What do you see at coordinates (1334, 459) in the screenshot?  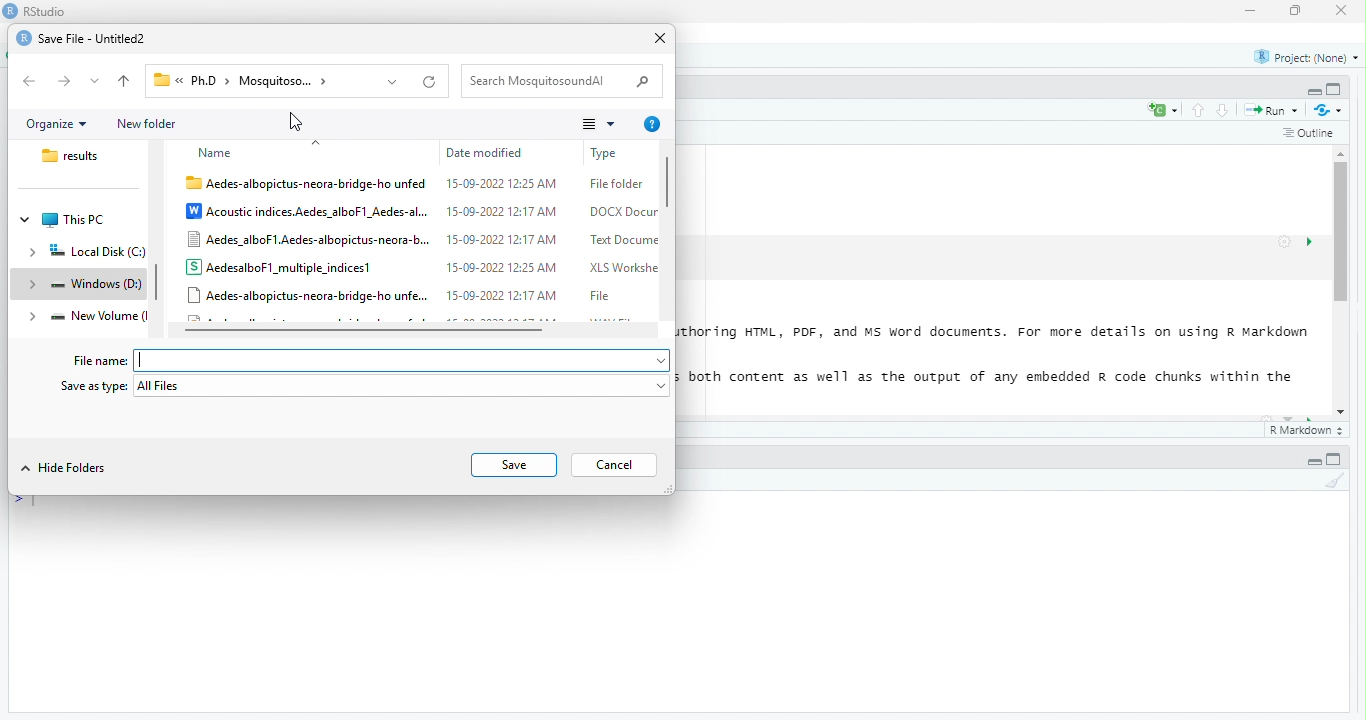 I see `full view` at bounding box center [1334, 459].